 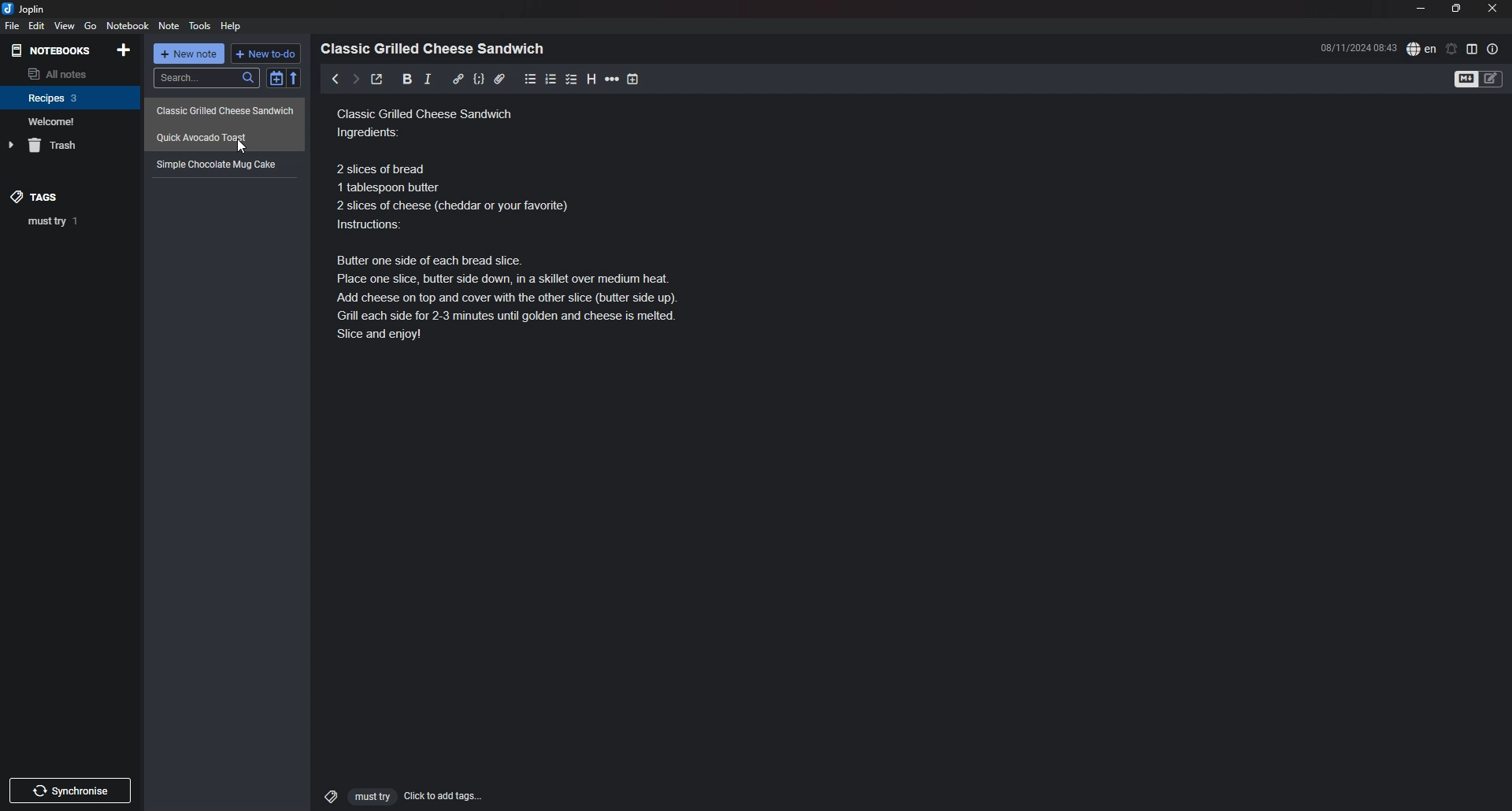 What do you see at coordinates (70, 787) in the screenshot?
I see `` at bounding box center [70, 787].